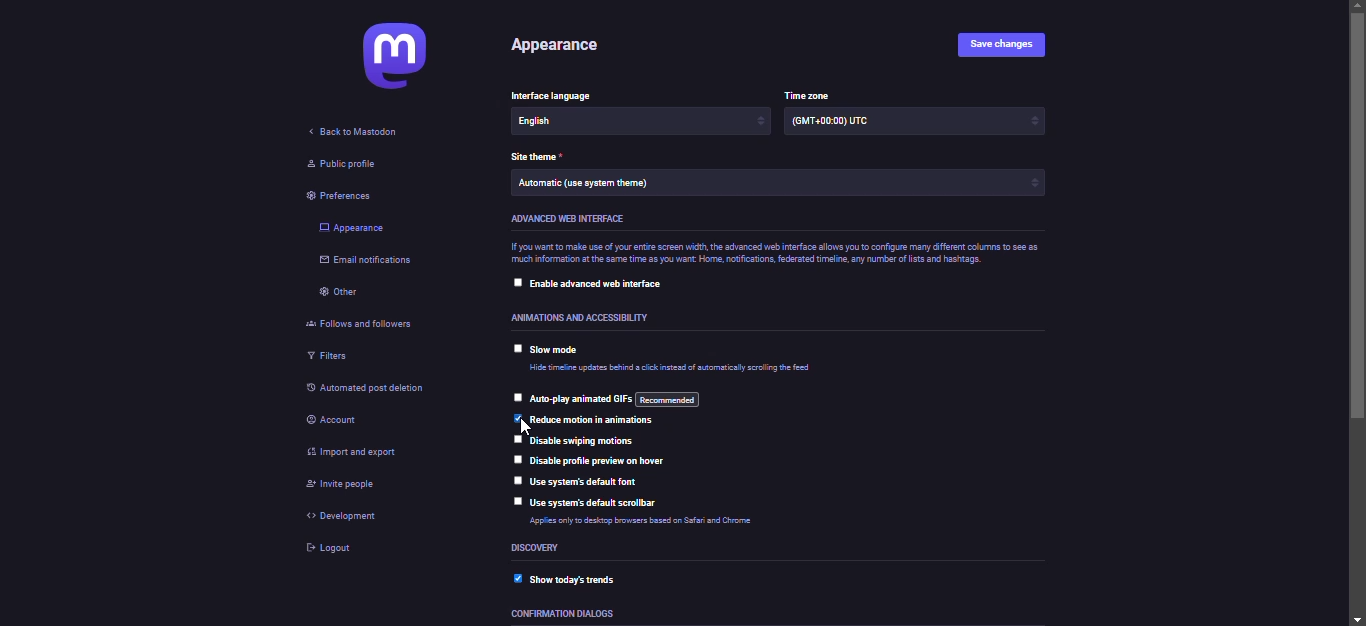 The height and width of the screenshot is (626, 1366). I want to click on public profile, so click(344, 165).